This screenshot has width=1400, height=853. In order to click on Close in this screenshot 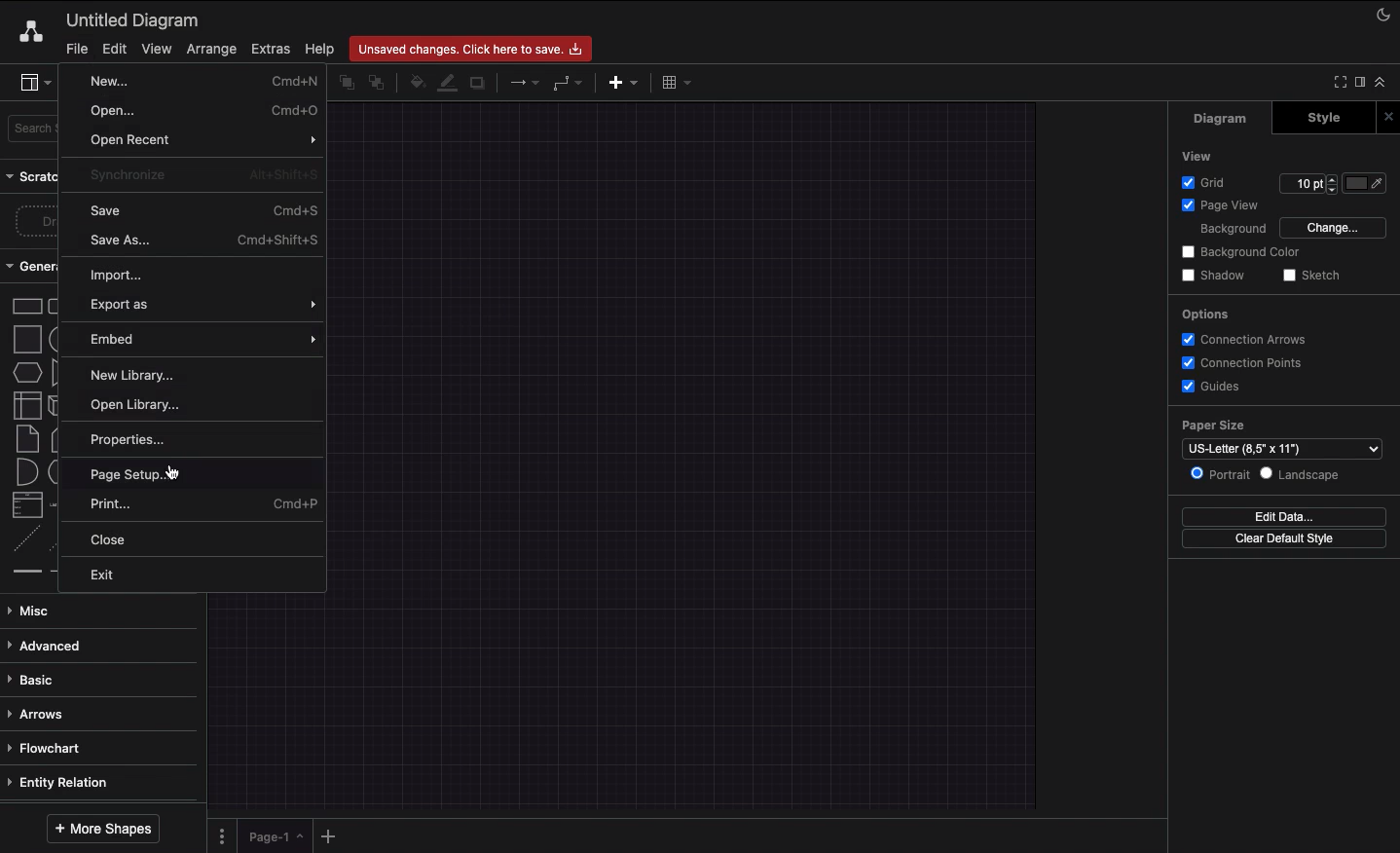, I will do `click(1391, 116)`.